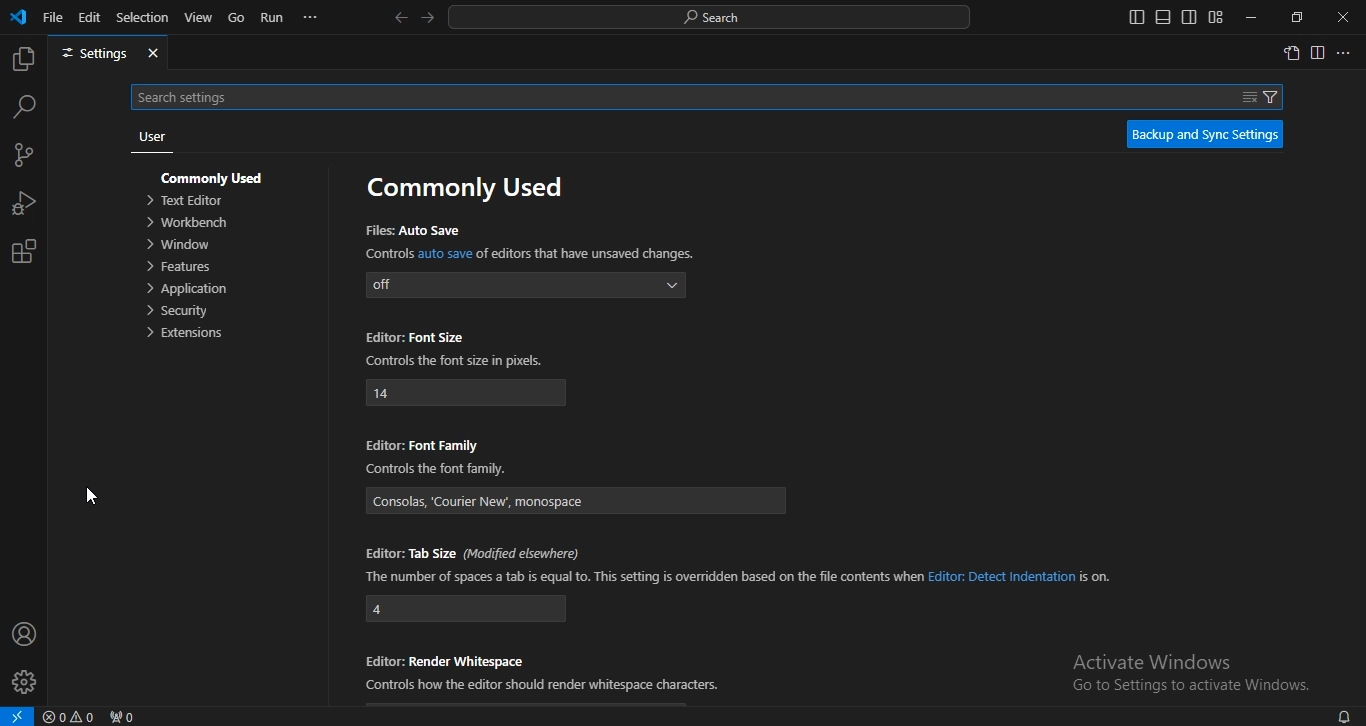 This screenshot has width=1366, height=726. I want to click on restore down, so click(1297, 17).